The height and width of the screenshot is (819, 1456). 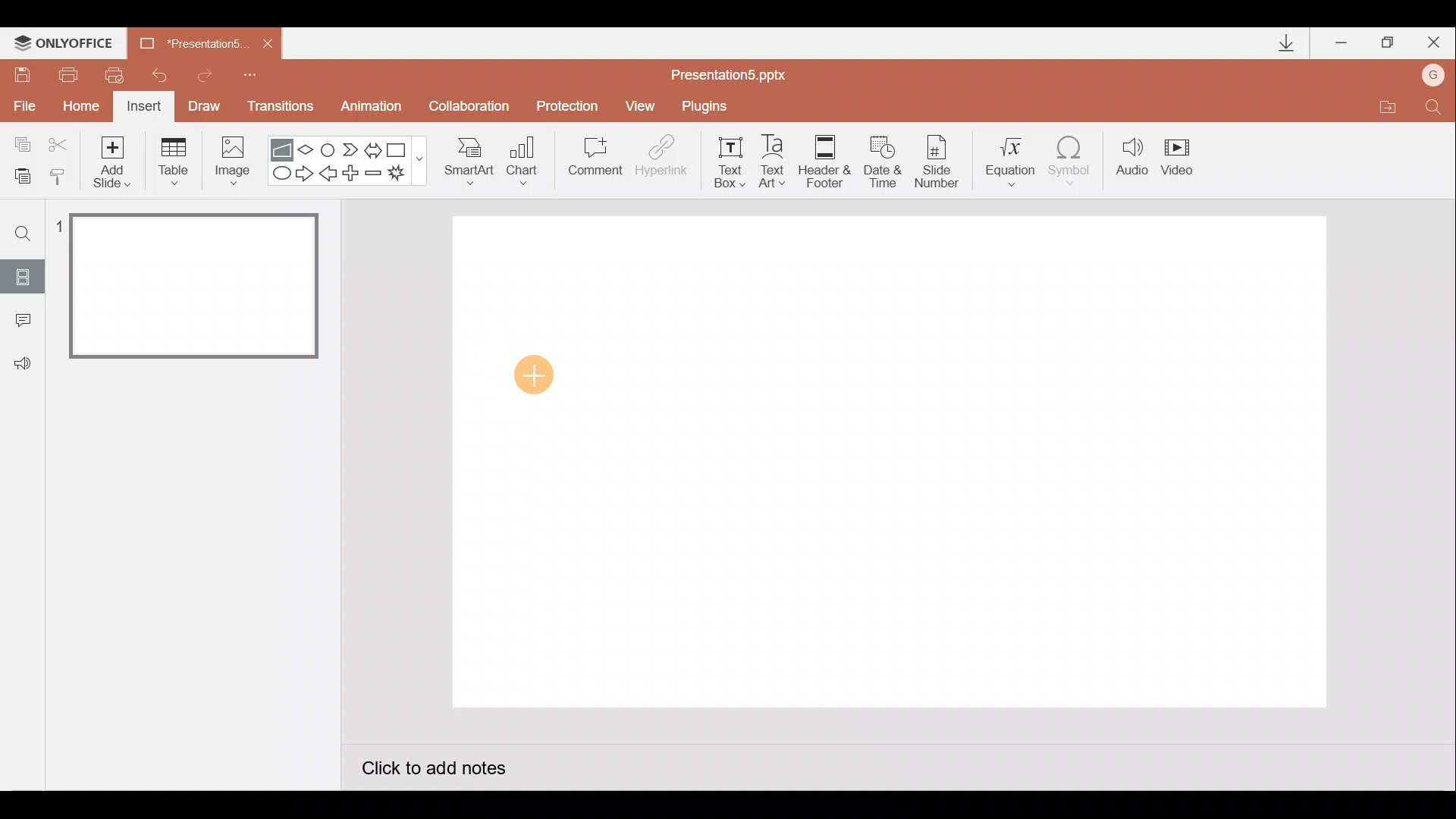 I want to click on Close, so click(x=268, y=44).